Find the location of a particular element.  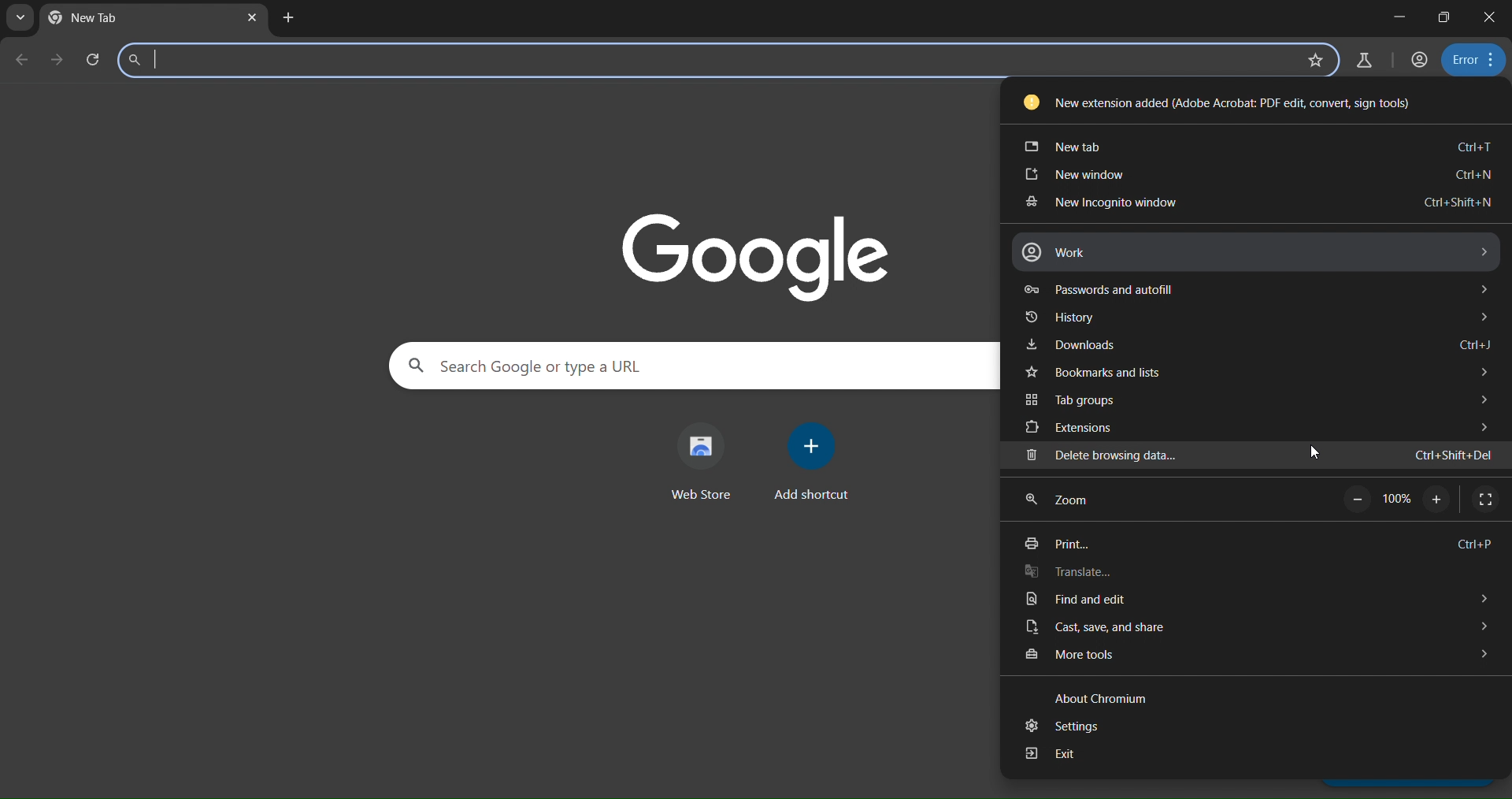

restore down is located at coordinates (1441, 17).